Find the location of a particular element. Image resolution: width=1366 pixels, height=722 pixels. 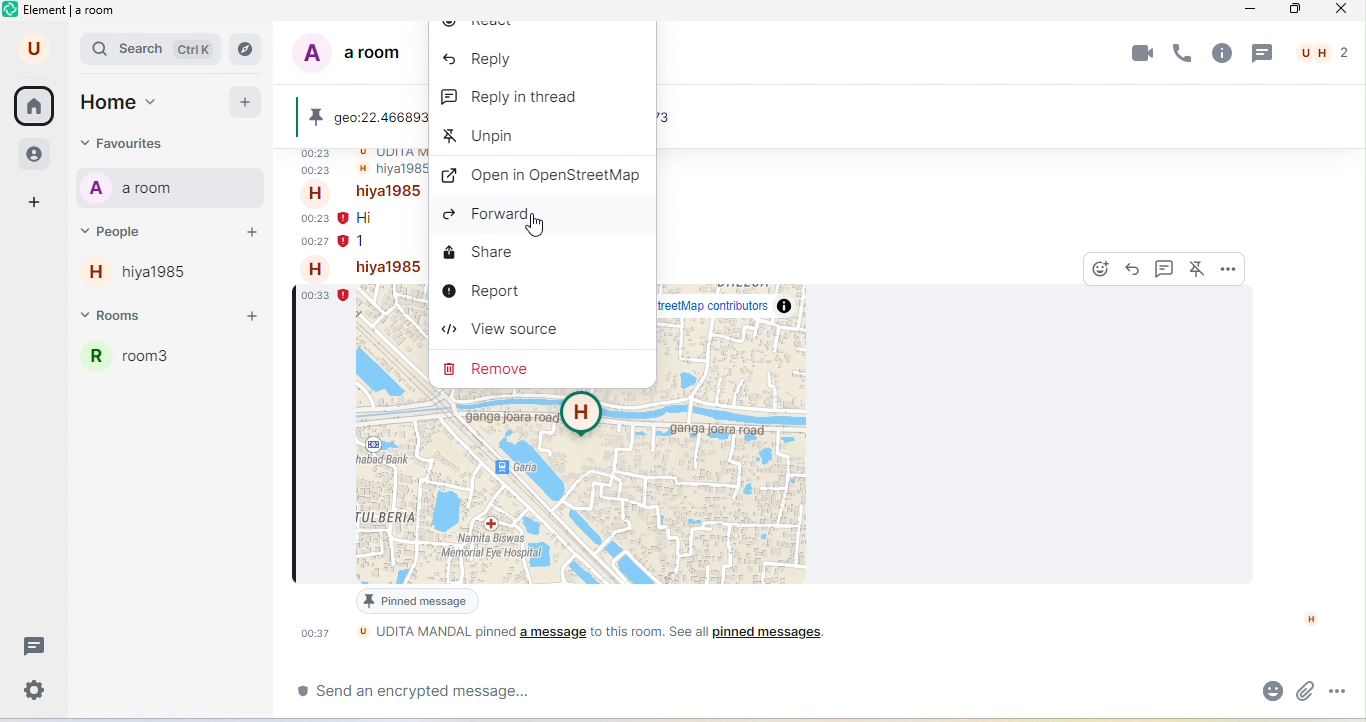

vertical scroll bar is located at coordinates (1353, 539).